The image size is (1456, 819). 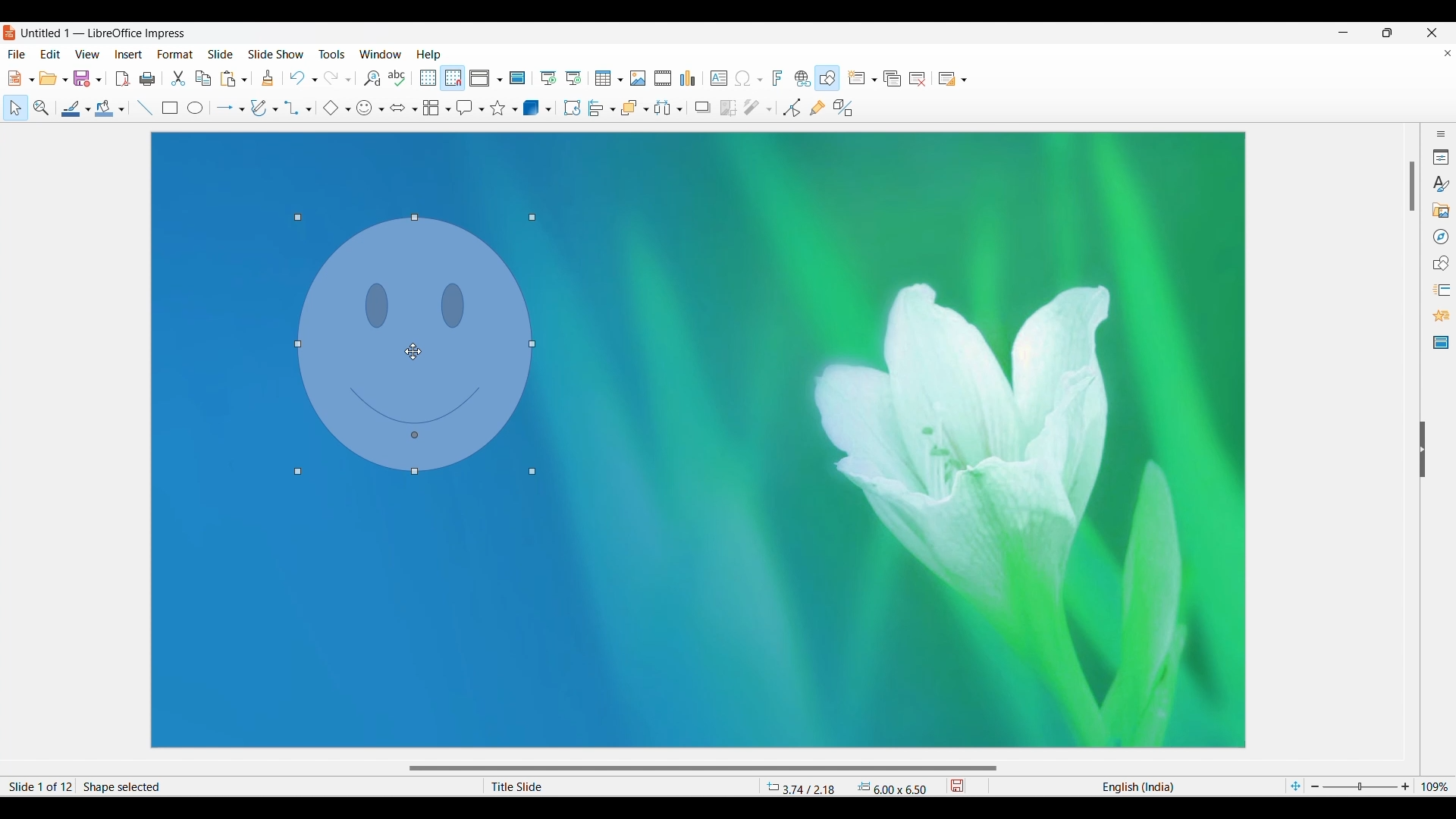 What do you see at coordinates (517, 77) in the screenshot?
I see `Master slide` at bounding box center [517, 77].